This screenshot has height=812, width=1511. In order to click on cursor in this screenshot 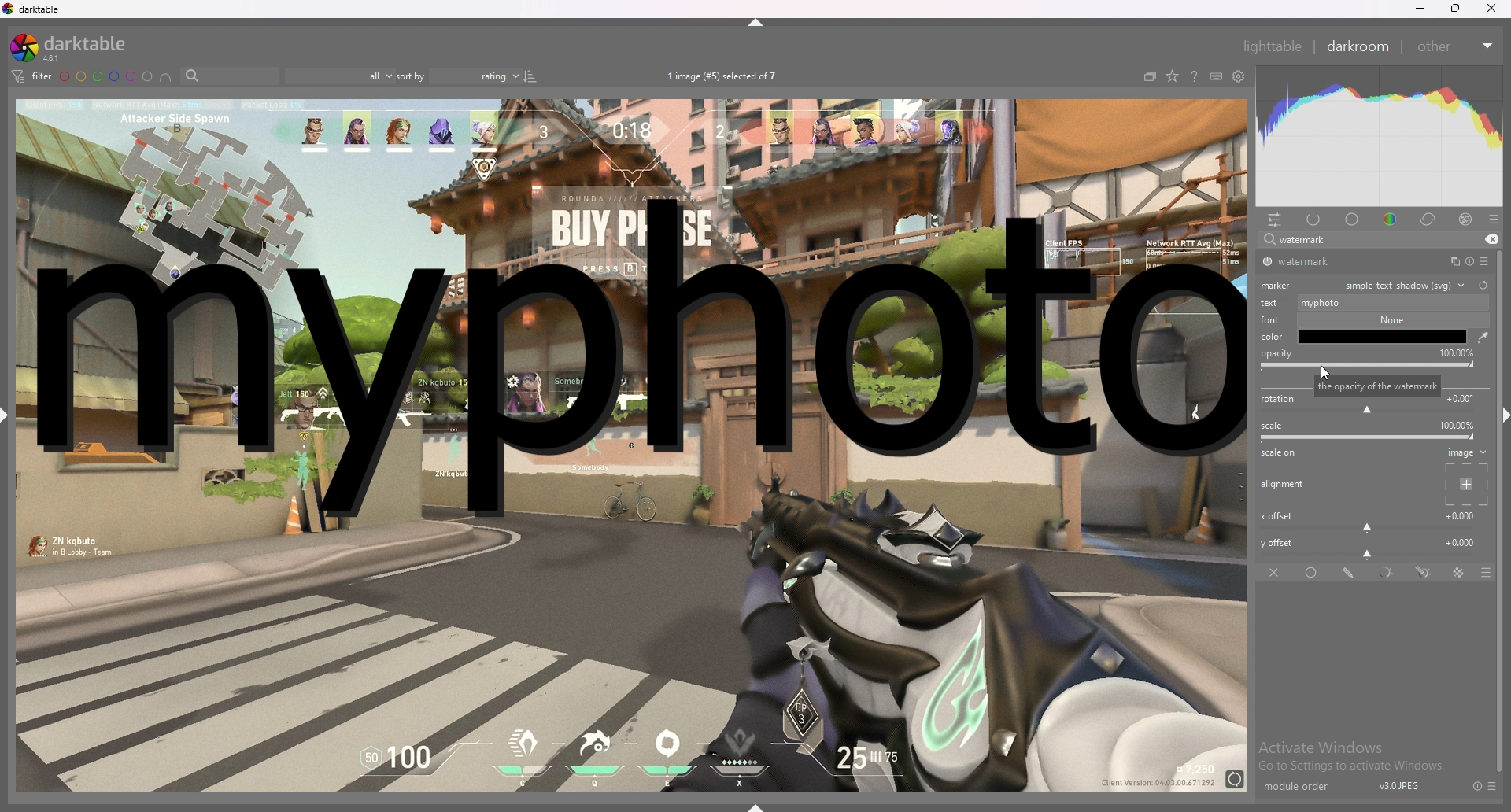, I will do `click(1323, 372)`.